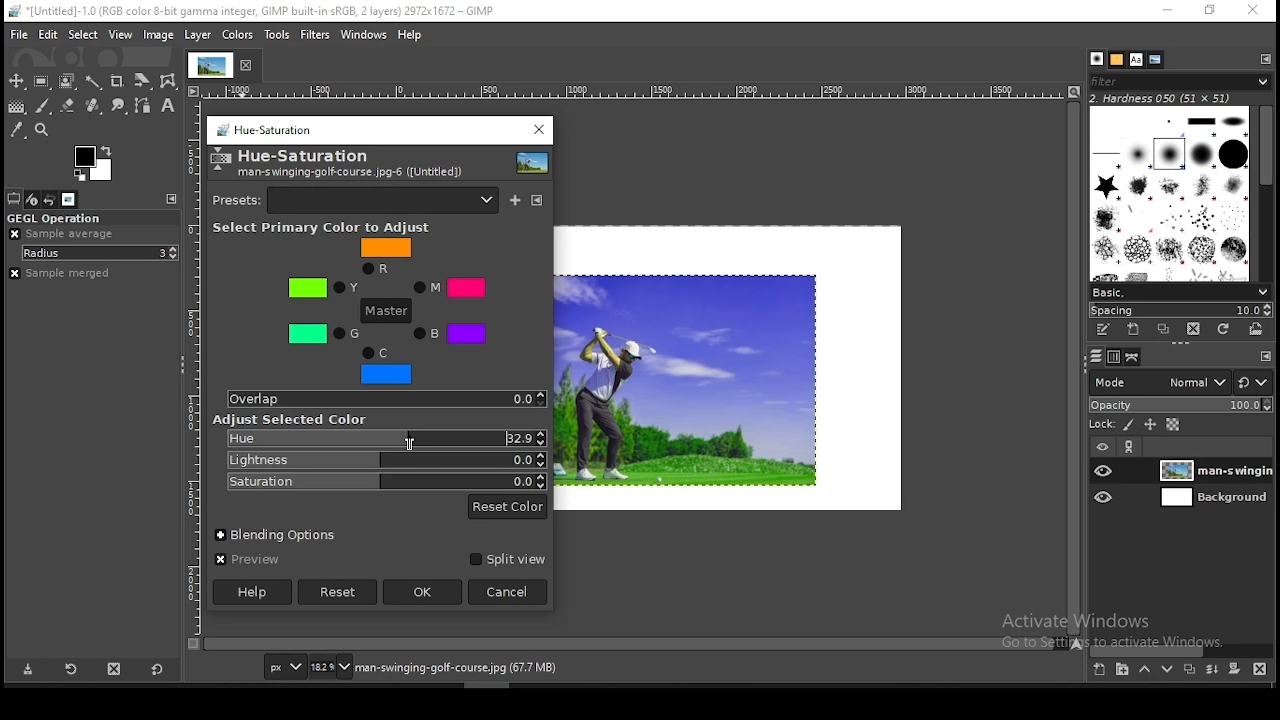 The image size is (1280, 720). What do you see at coordinates (537, 201) in the screenshot?
I see `configure` at bounding box center [537, 201].